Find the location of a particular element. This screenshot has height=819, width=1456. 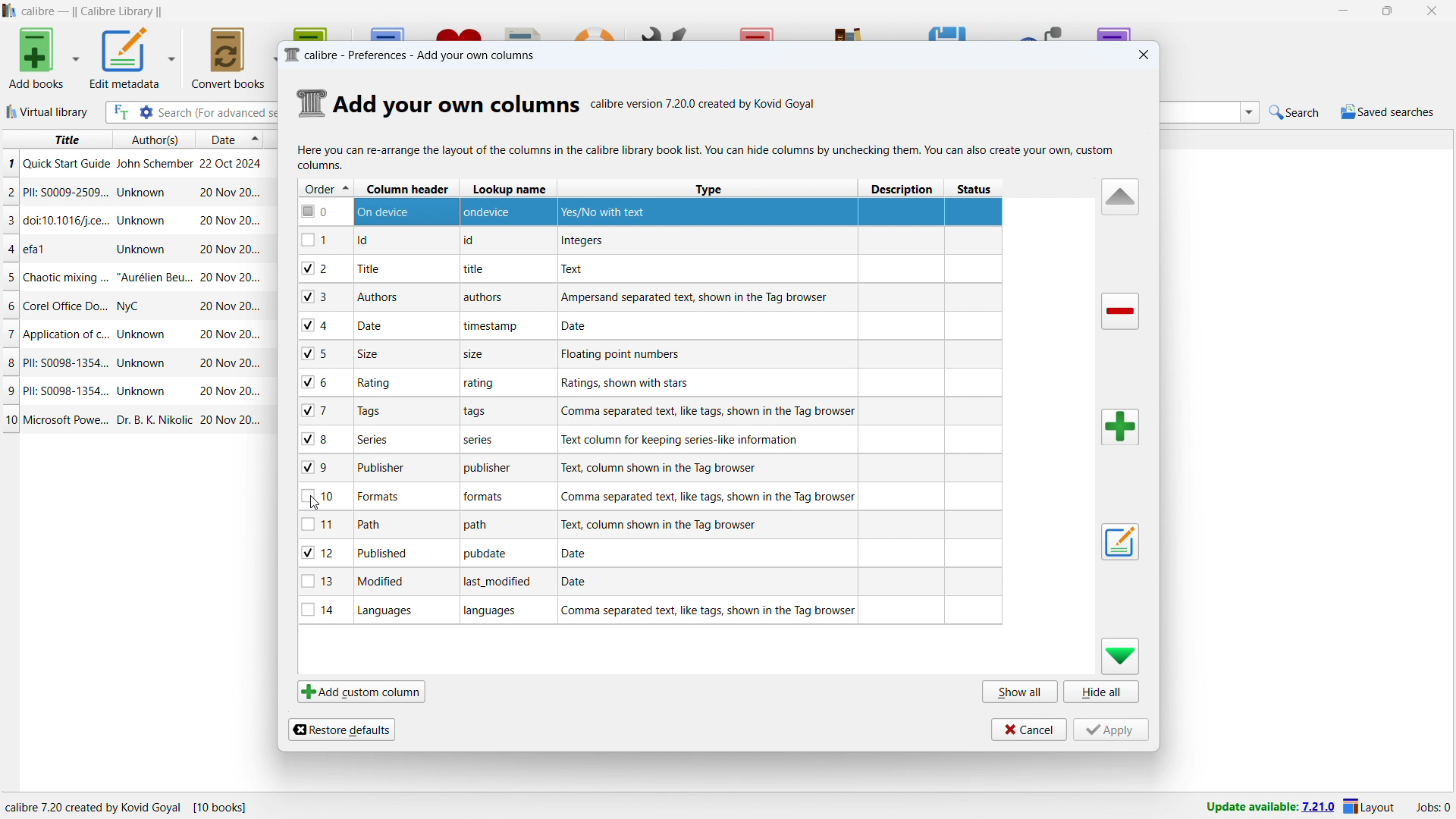

Column preferences is located at coordinates (706, 156).